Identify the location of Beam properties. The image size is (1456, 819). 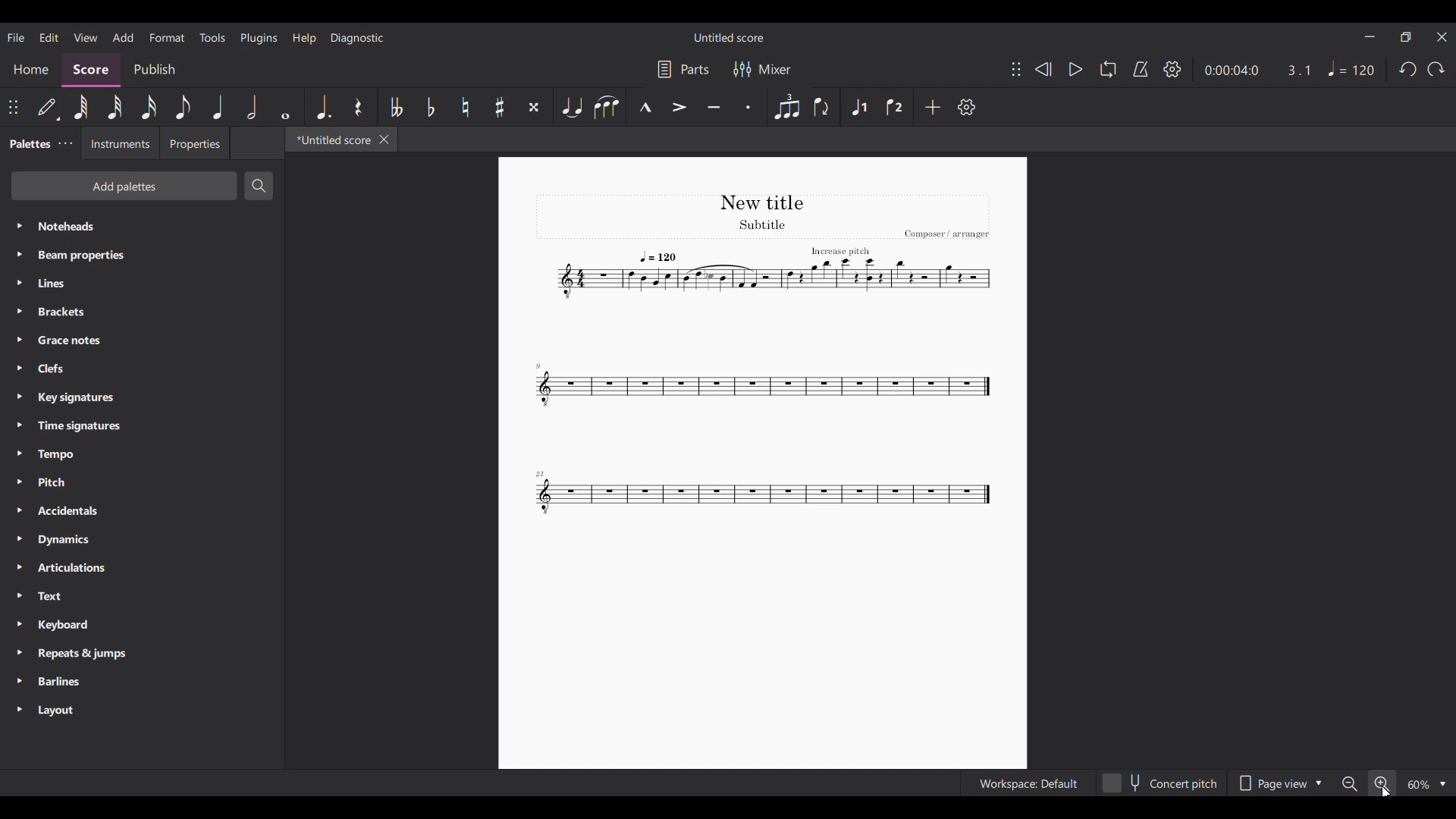
(142, 256).